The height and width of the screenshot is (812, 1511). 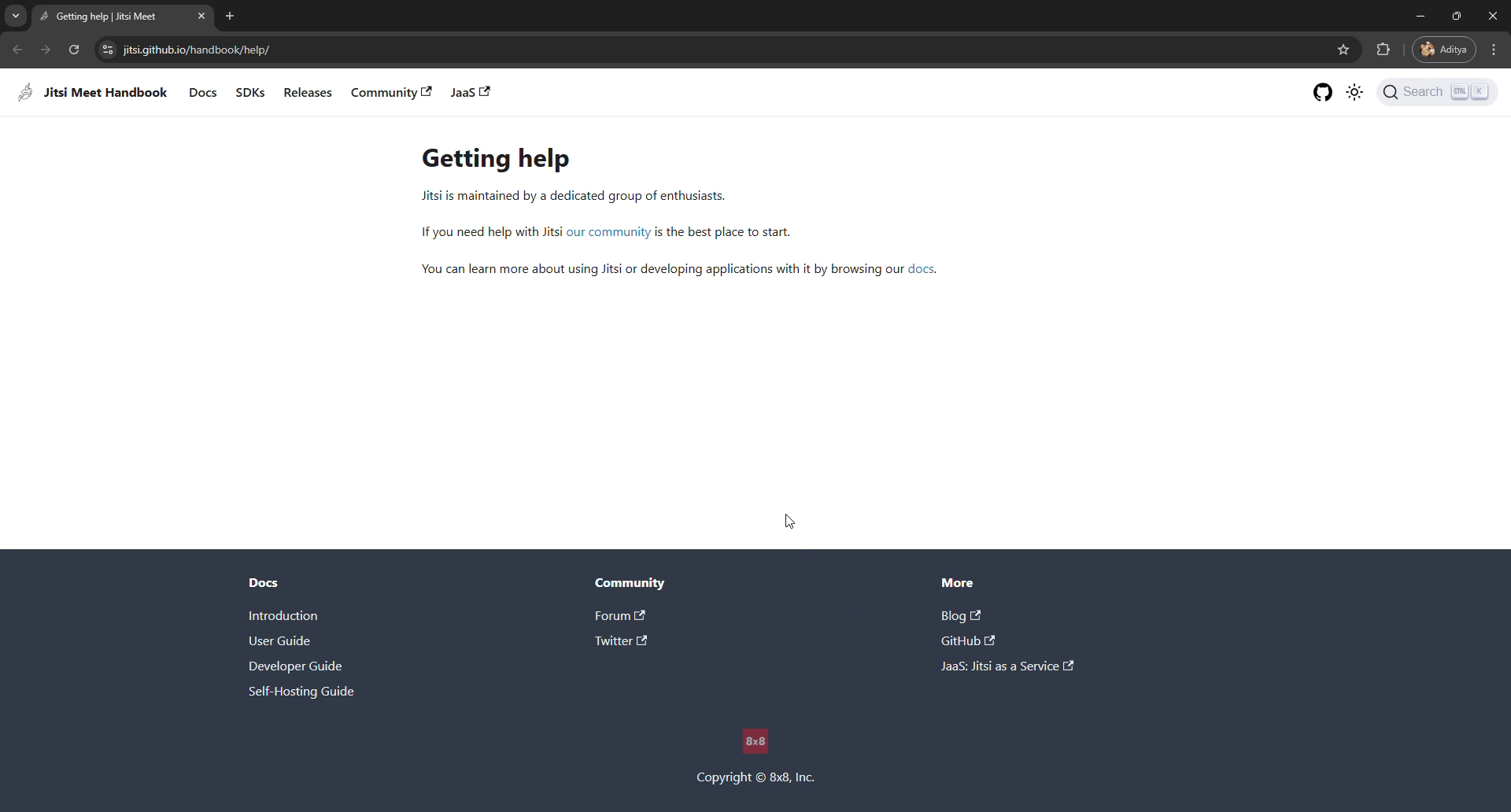 I want to click on forward, so click(x=46, y=49).